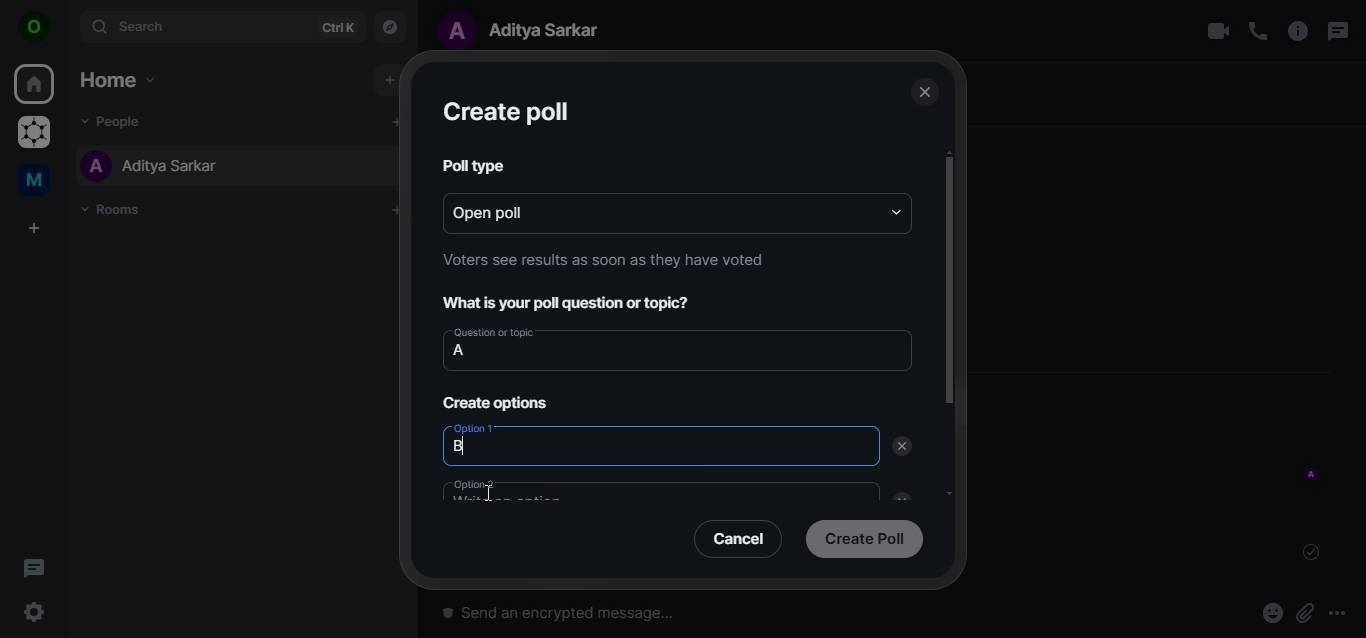 Image resolution: width=1366 pixels, height=638 pixels. Describe the element at coordinates (388, 80) in the screenshot. I see `add` at that location.